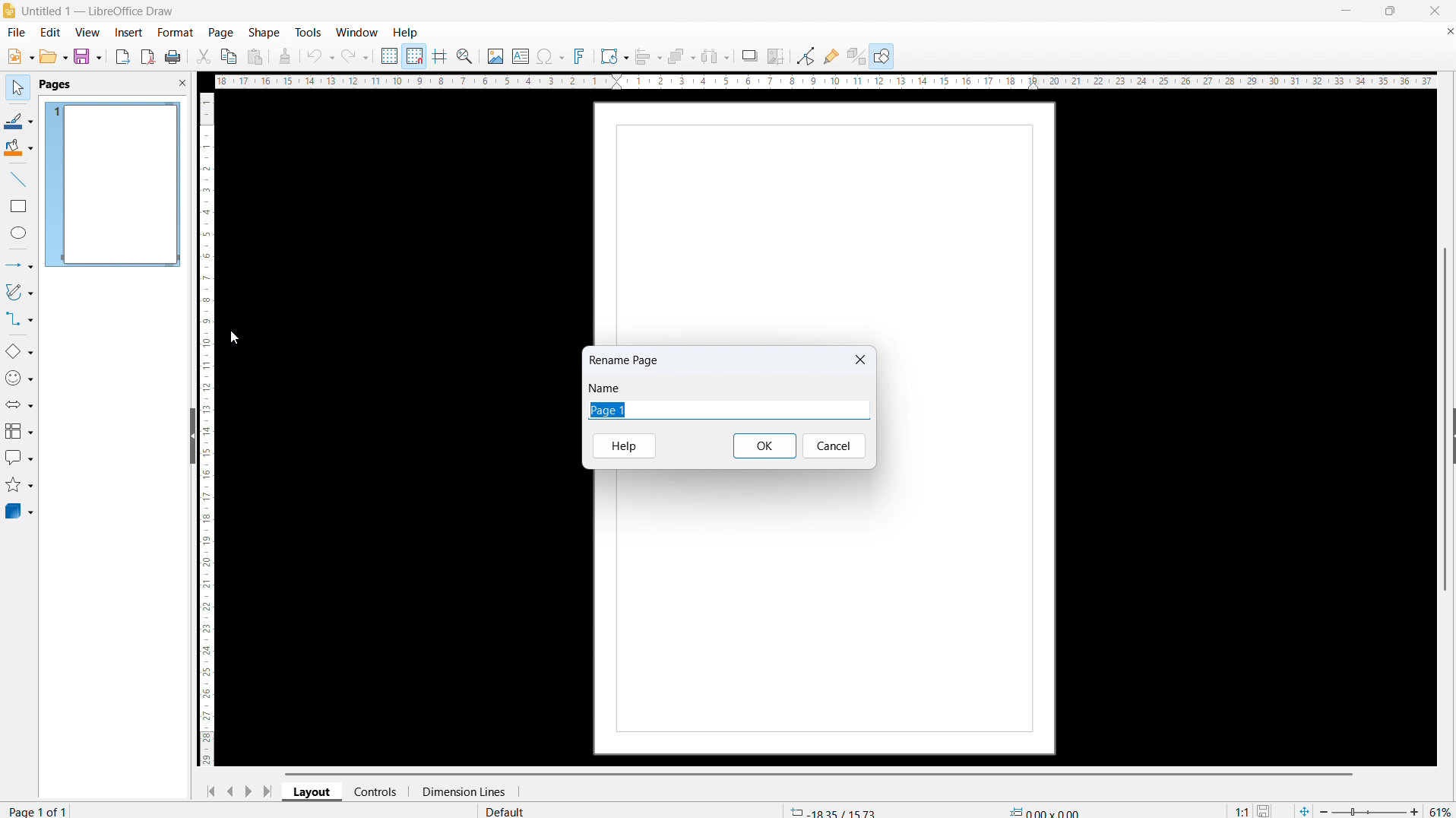 This screenshot has height=818, width=1456. Describe the element at coordinates (1347, 11) in the screenshot. I see `minimize` at that location.